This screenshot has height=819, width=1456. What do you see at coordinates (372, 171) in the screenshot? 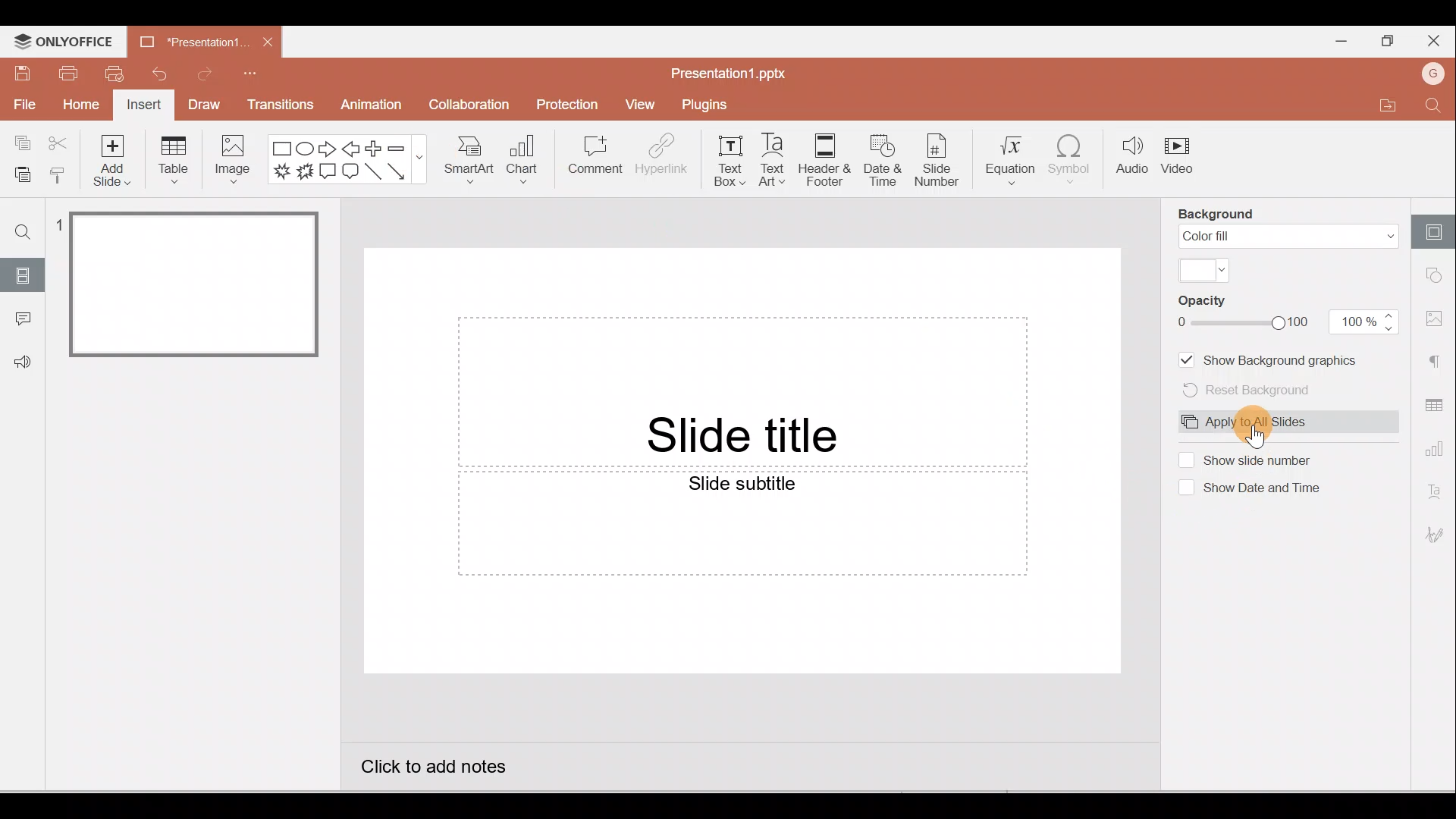
I see `Line` at bounding box center [372, 171].